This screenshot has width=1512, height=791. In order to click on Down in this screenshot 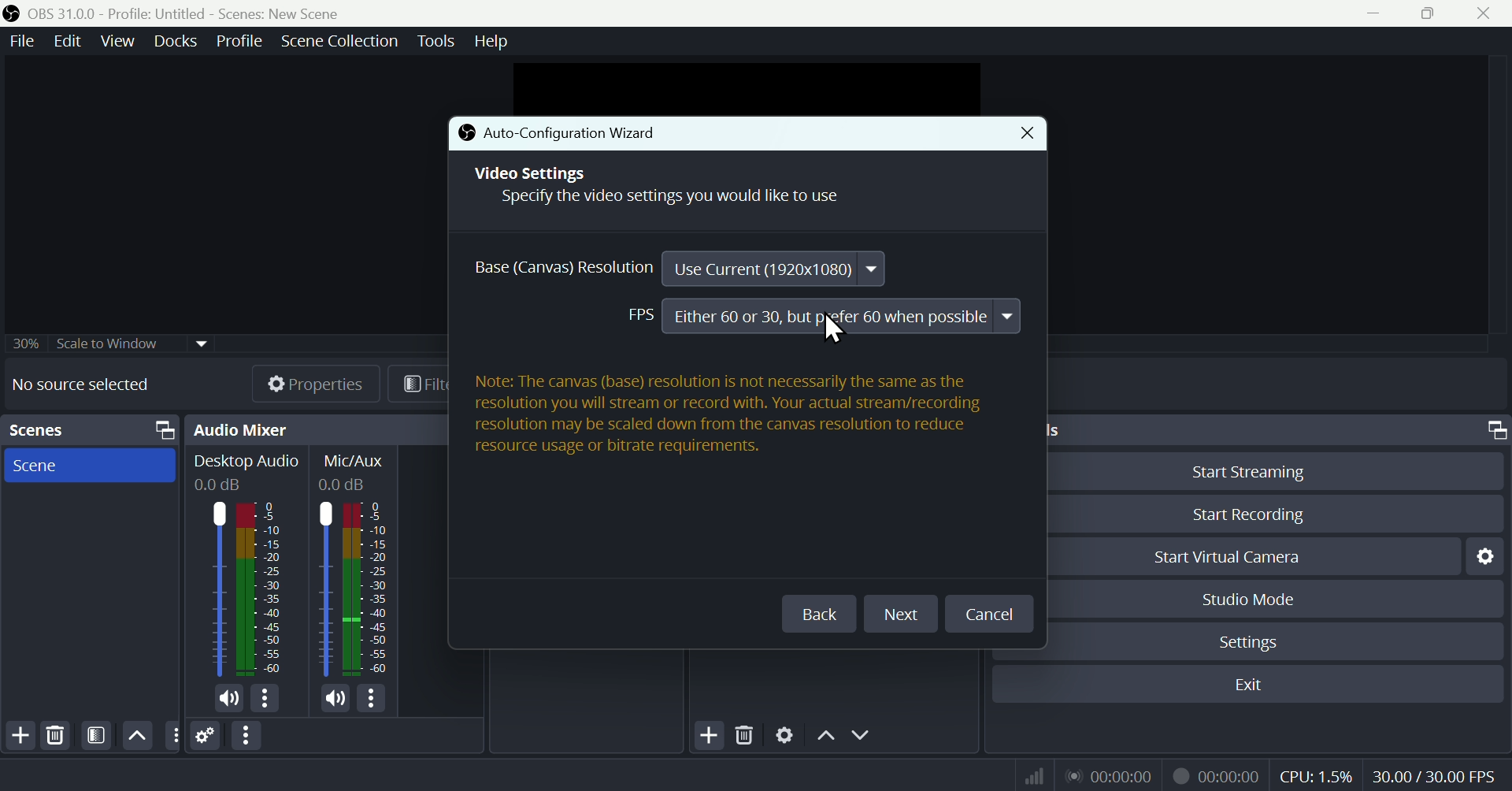, I will do `click(864, 734)`.